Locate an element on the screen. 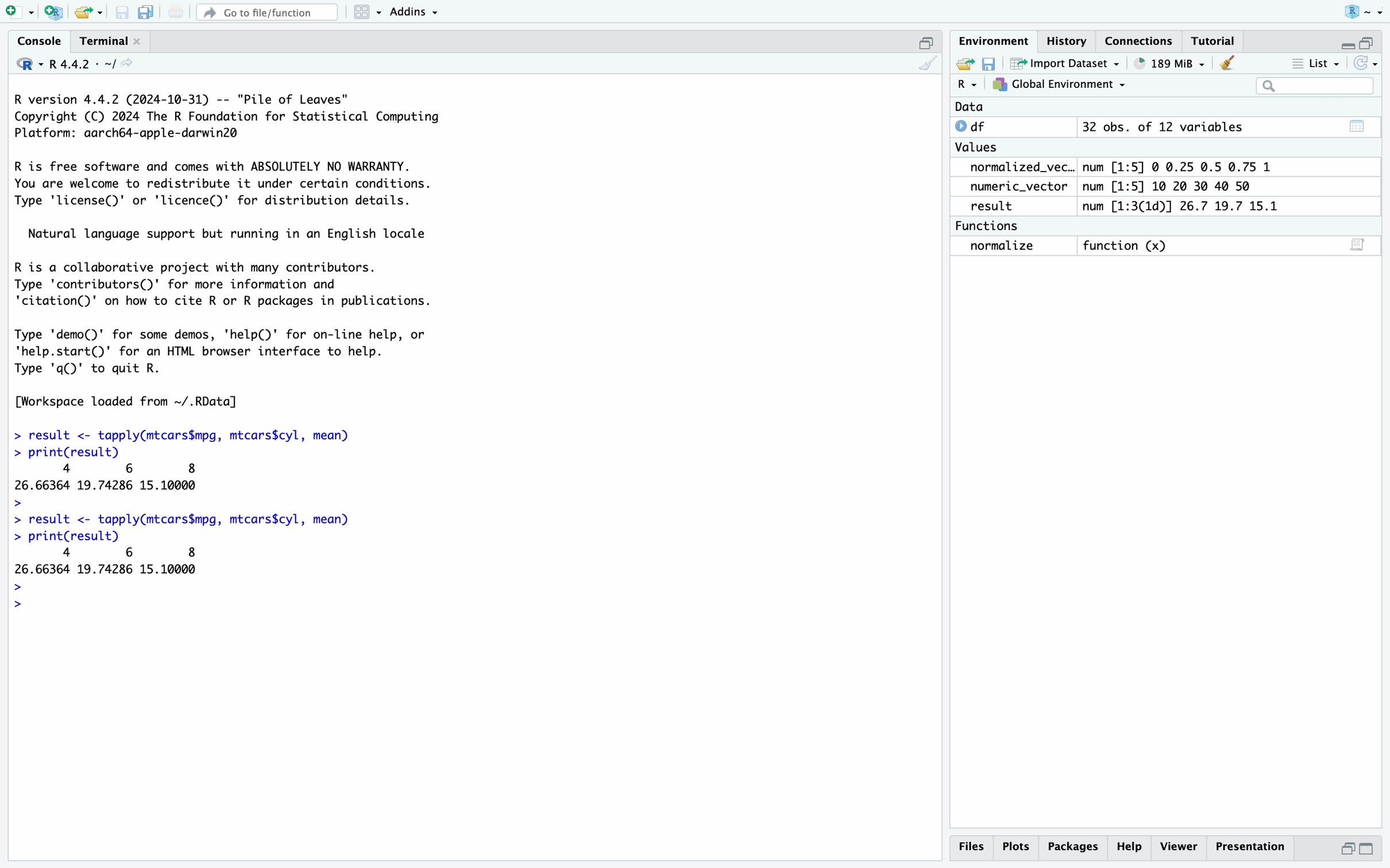 This screenshot has height=868, width=1390. Save all open files is located at coordinates (146, 12).